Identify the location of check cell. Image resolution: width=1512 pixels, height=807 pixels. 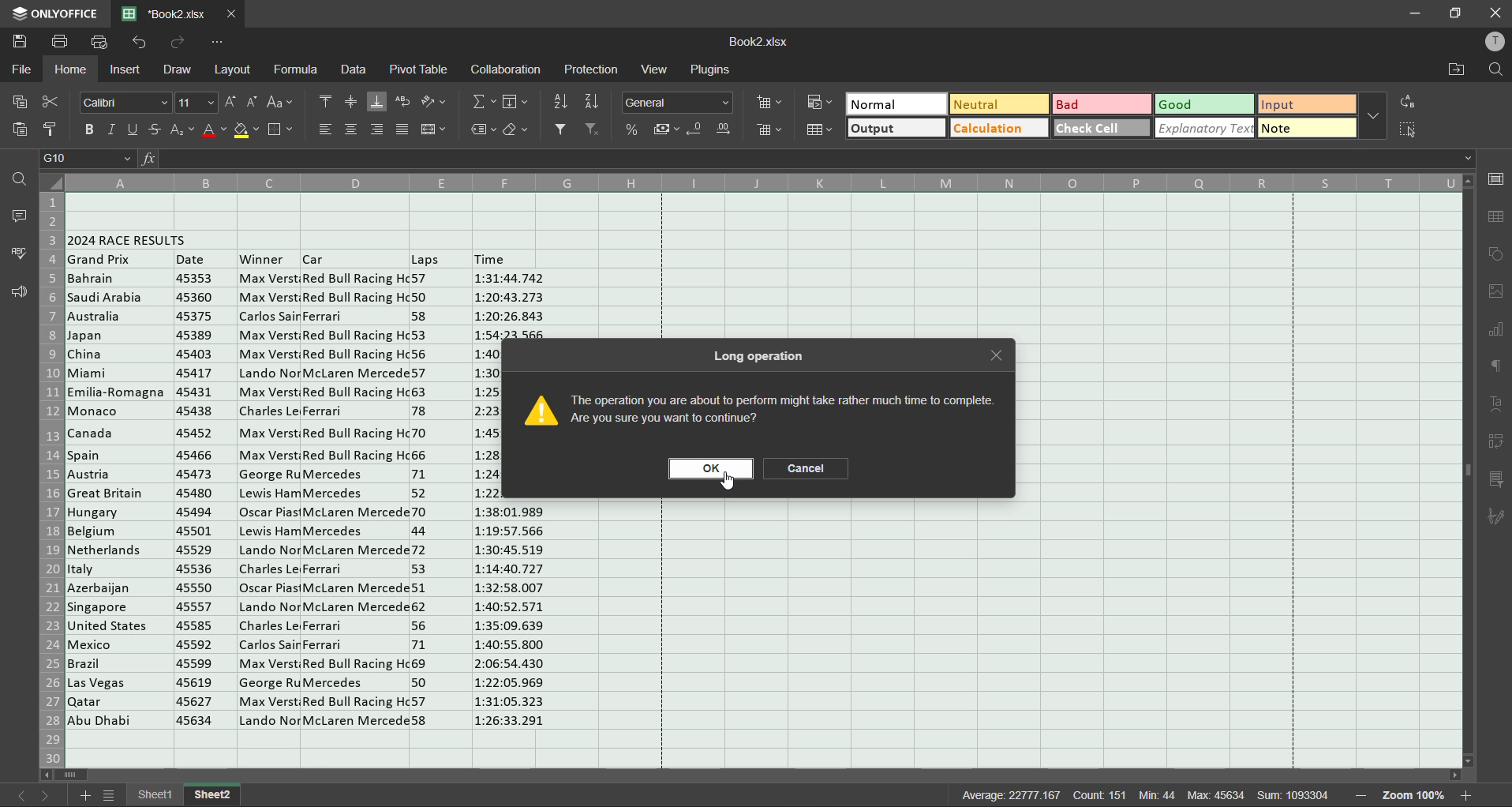
(1100, 129).